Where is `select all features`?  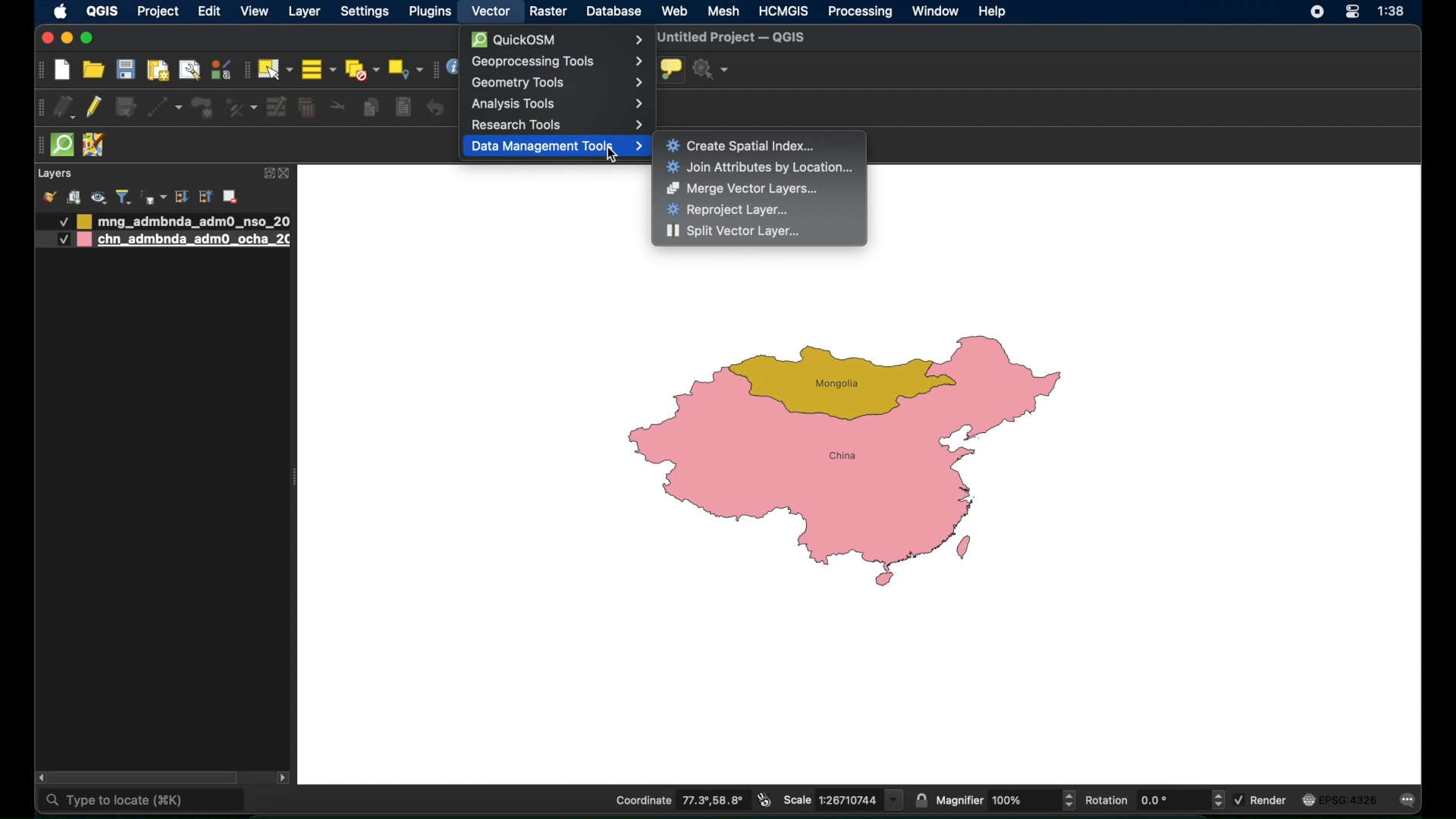
select all features is located at coordinates (318, 69).